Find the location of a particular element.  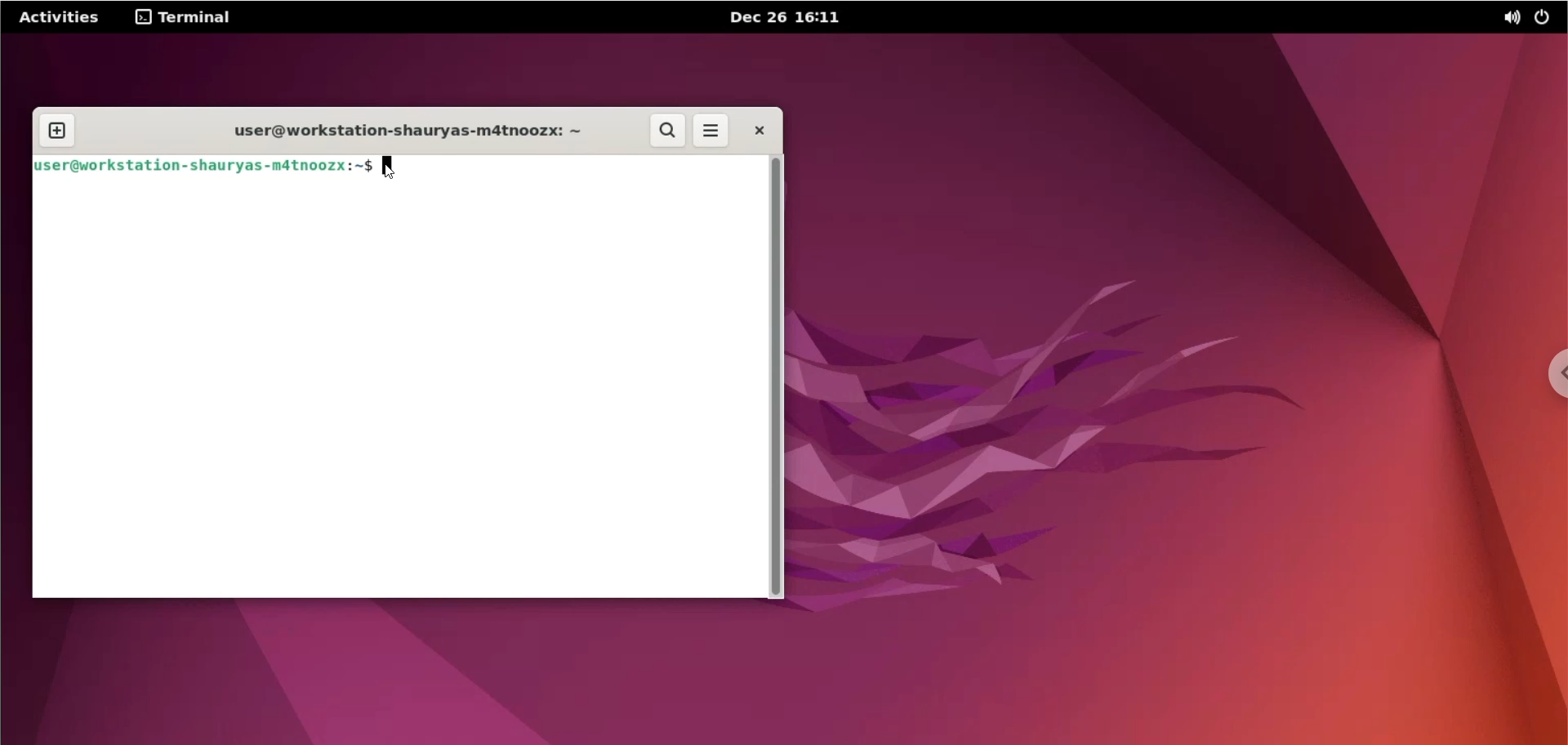

date and time is located at coordinates (786, 16).